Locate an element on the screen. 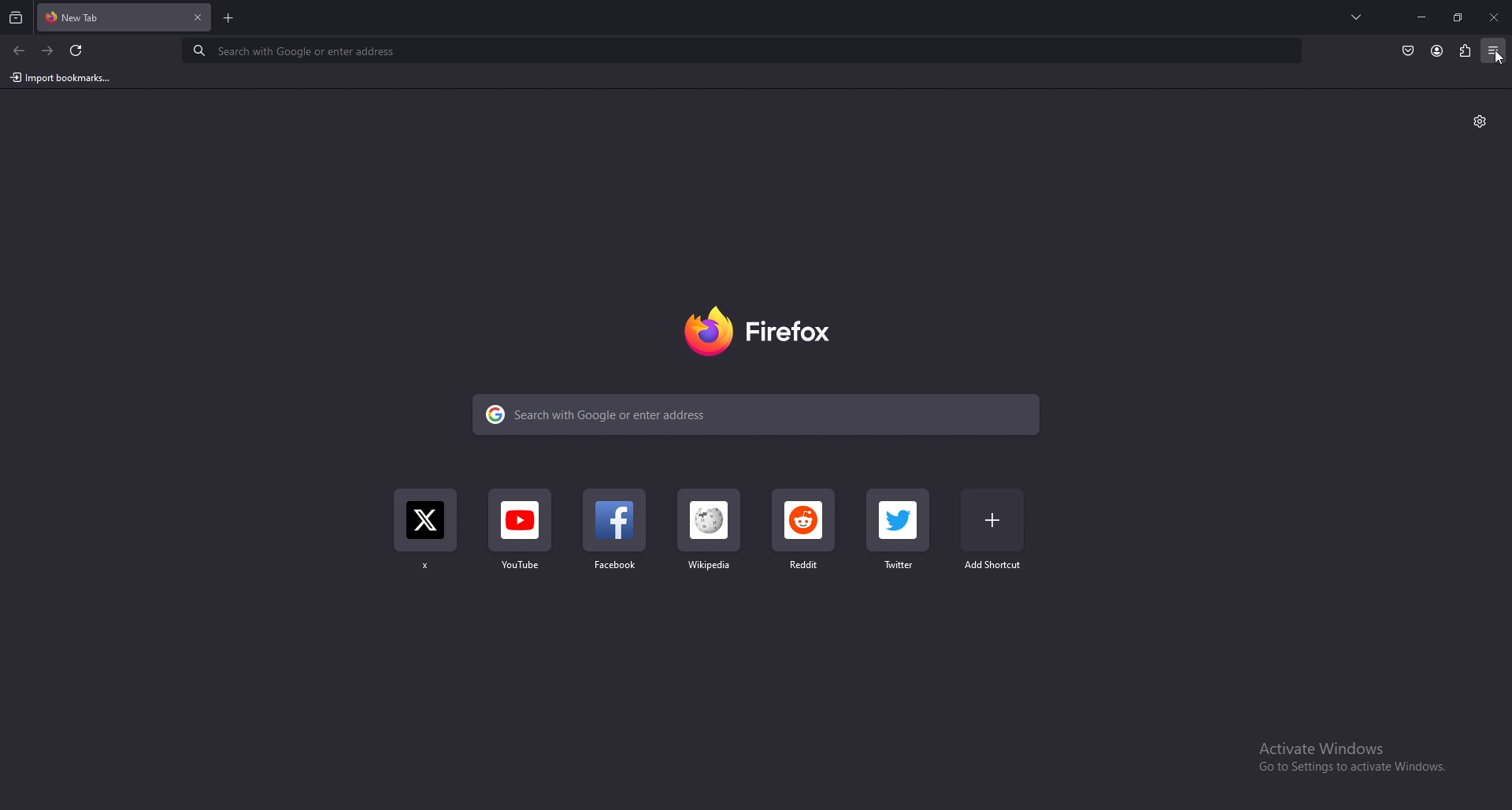  recent browsing is located at coordinates (16, 19).